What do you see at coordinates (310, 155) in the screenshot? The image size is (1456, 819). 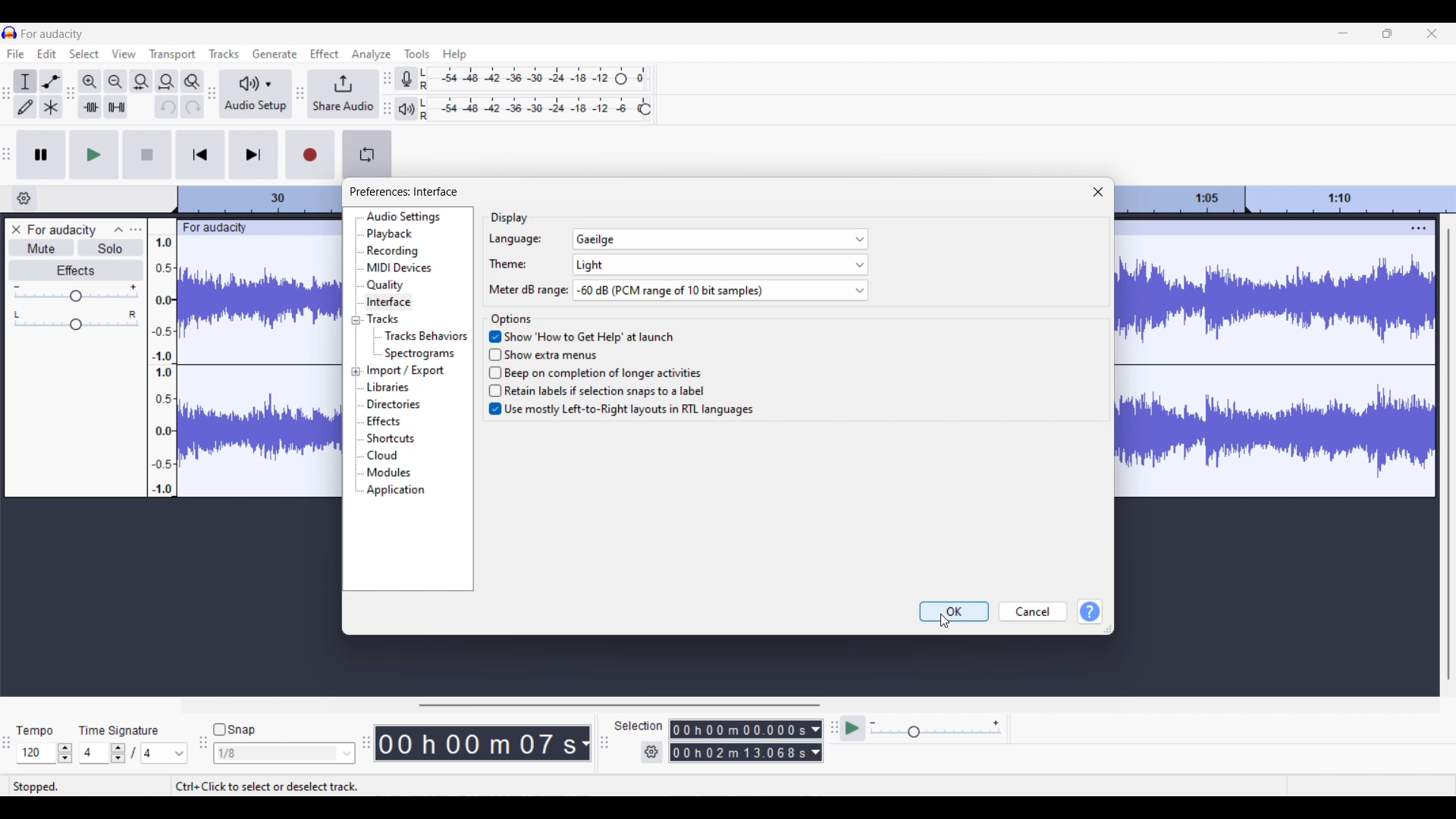 I see `Record/Record new track` at bounding box center [310, 155].